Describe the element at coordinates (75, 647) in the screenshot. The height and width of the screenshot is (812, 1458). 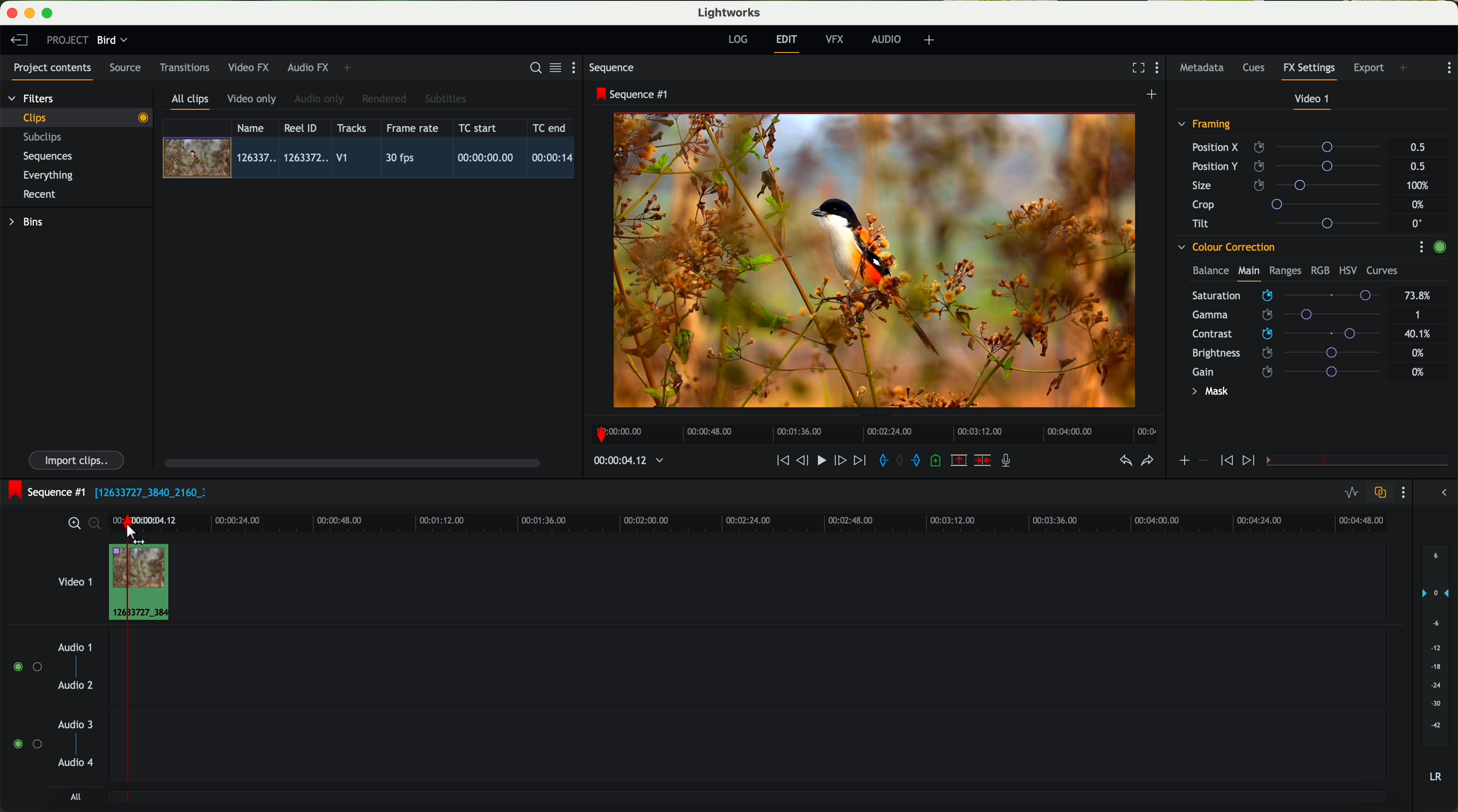
I see `audio 1` at that location.